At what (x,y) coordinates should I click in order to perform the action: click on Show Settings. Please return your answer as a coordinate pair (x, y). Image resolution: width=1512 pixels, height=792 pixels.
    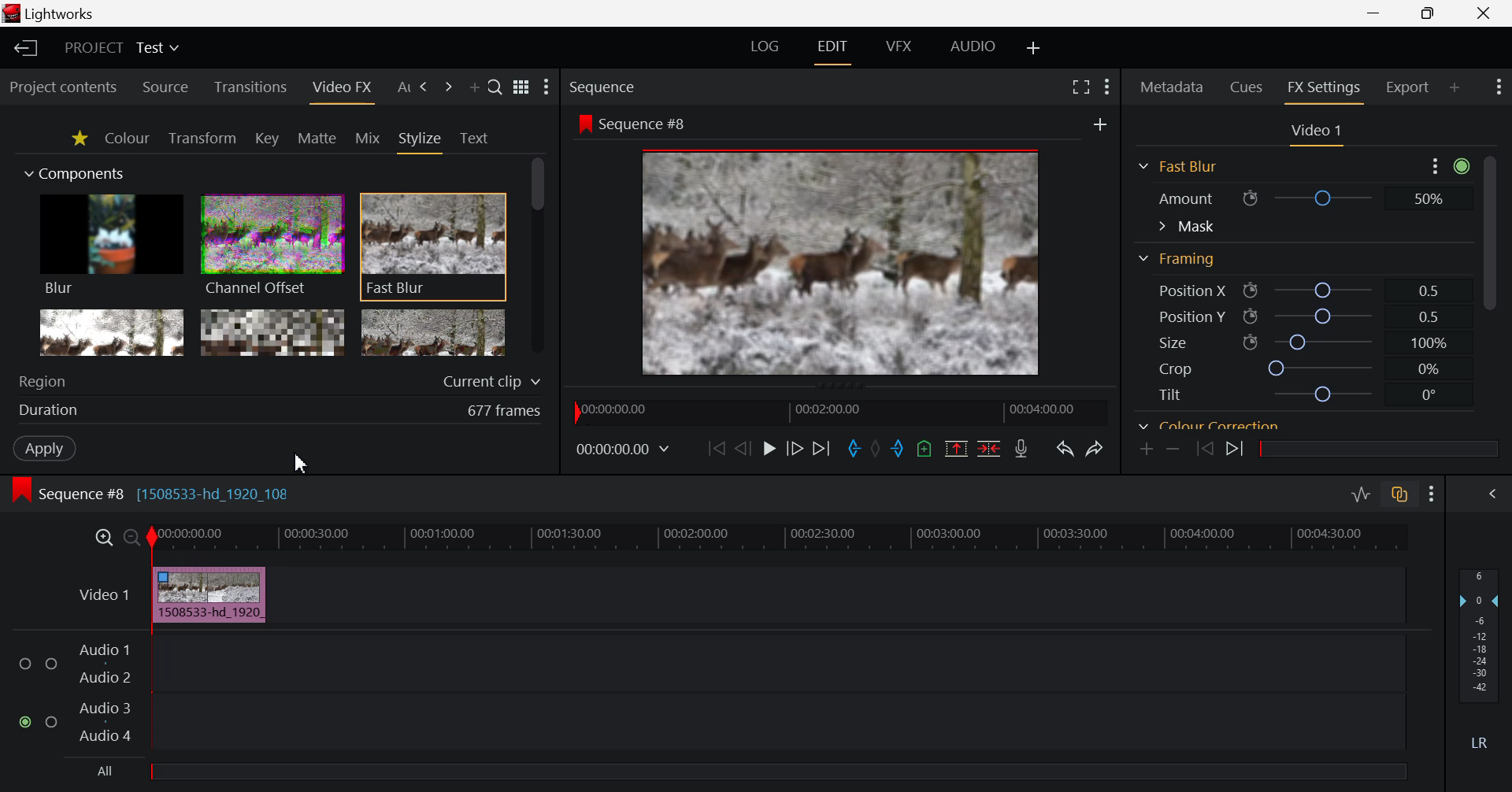
    Looking at the image, I should click on (547, 85).